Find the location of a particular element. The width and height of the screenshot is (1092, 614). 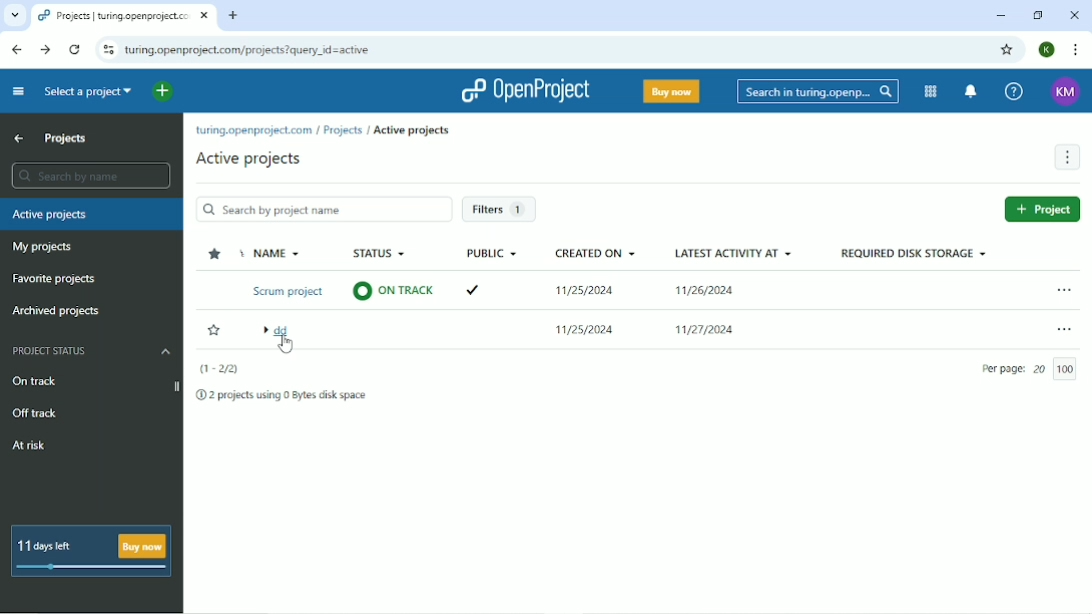

Active projects is located at coordinates (412, 129).